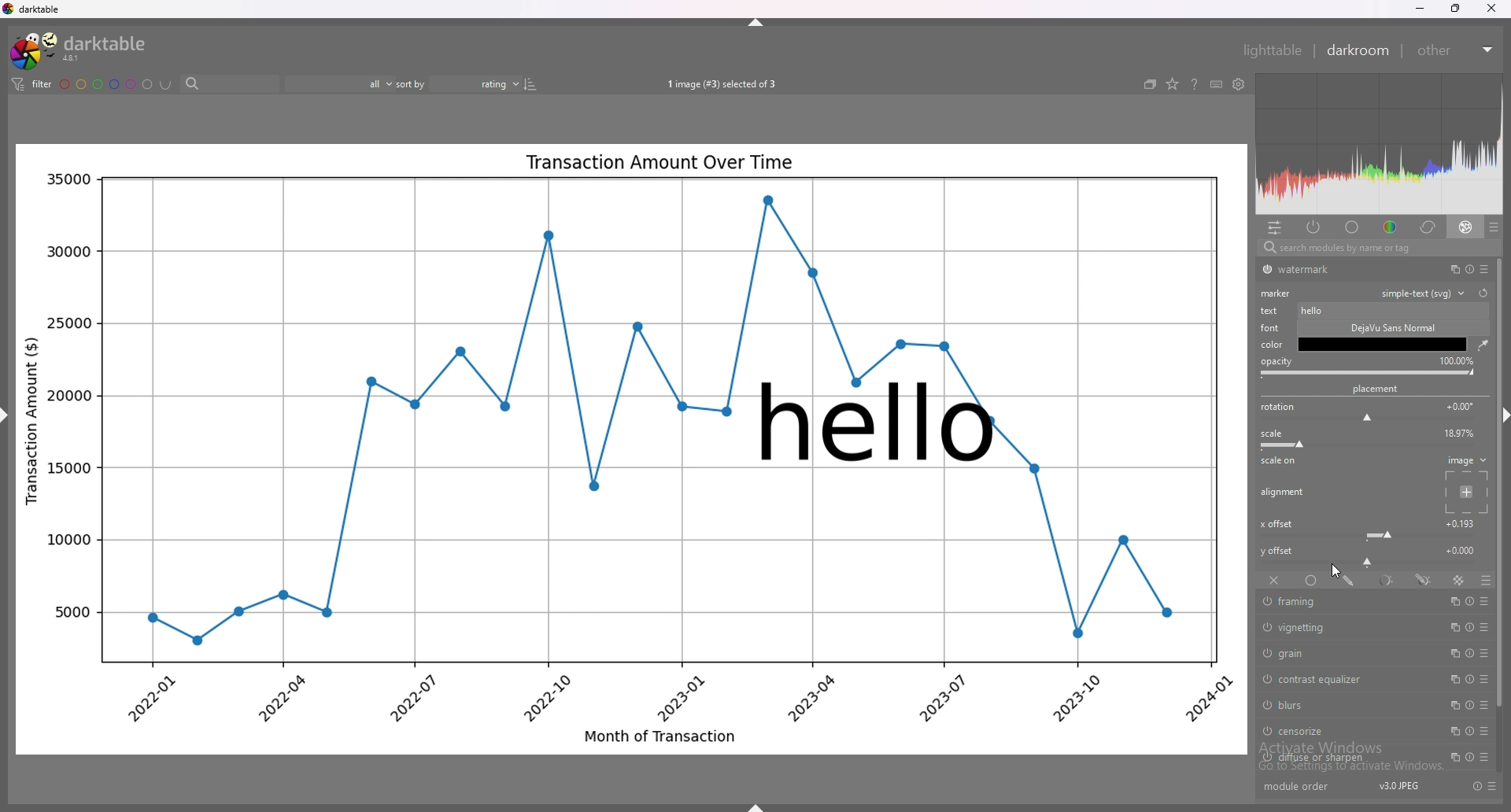 The height and width of the screenshot is (812, 1511). I want to click on waterdrop, so click(1482, 345).